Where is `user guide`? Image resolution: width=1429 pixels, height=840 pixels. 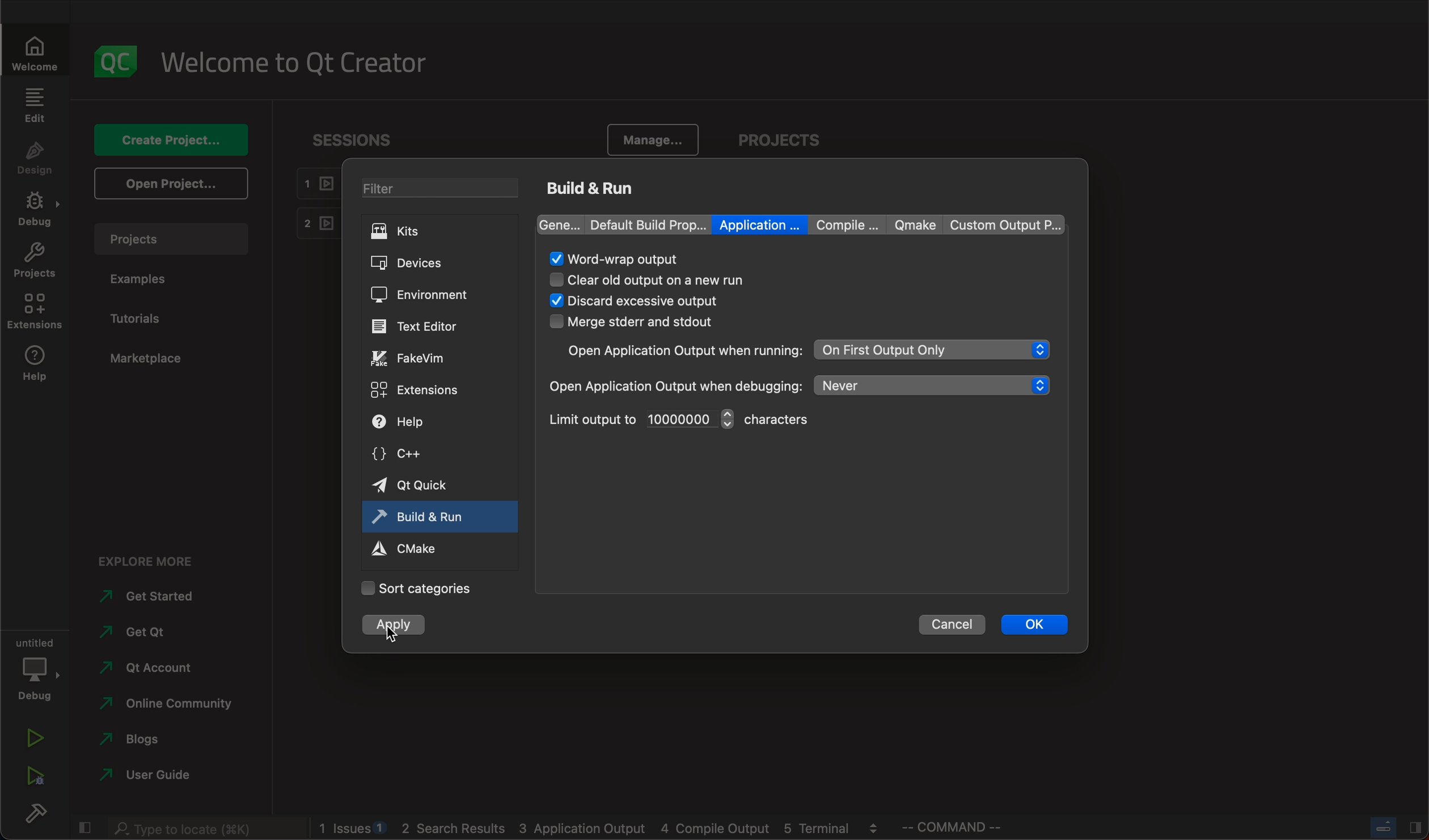 user guide is located at coordinates (152, 775).